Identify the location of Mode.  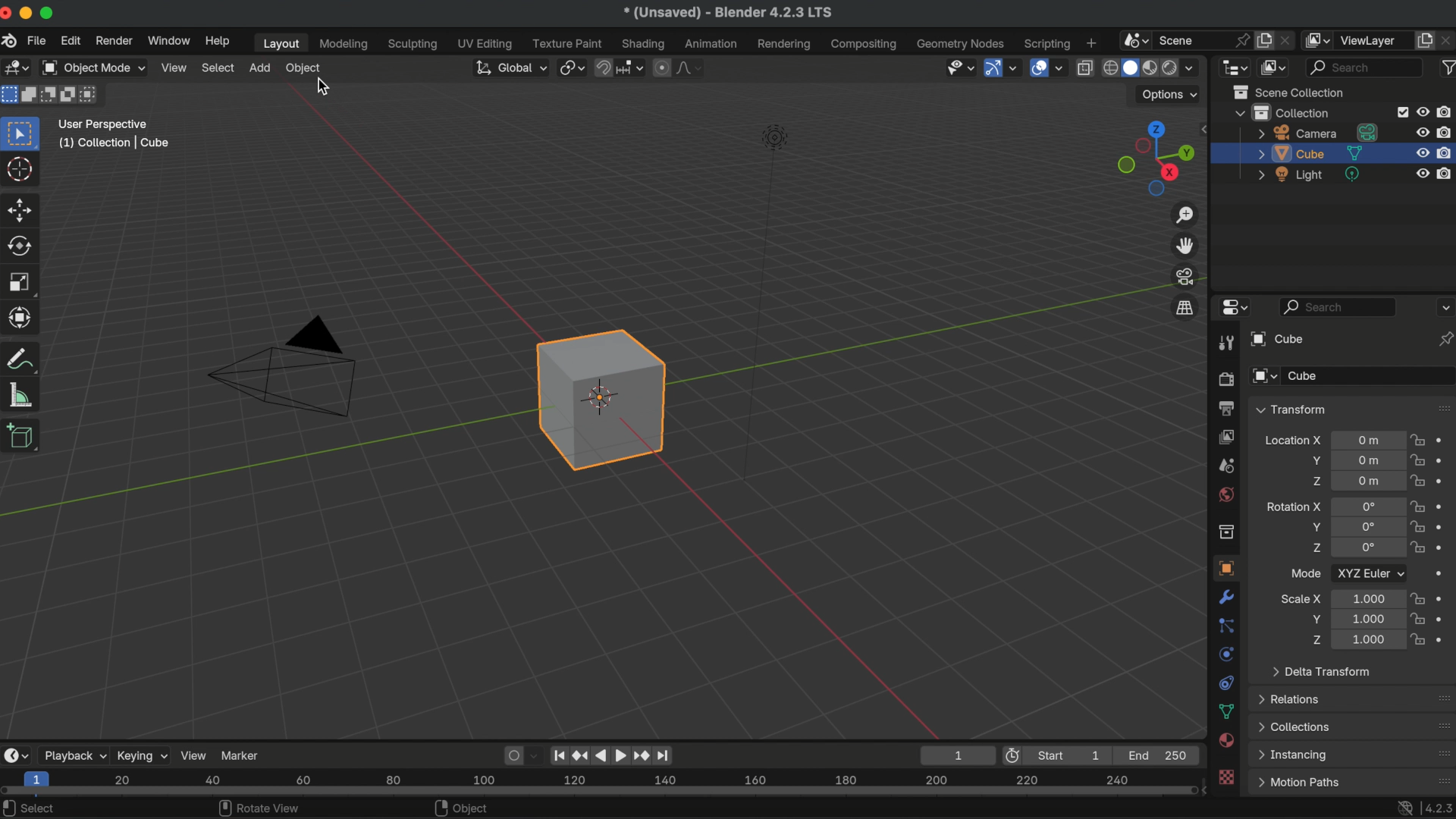
(1306, 573).